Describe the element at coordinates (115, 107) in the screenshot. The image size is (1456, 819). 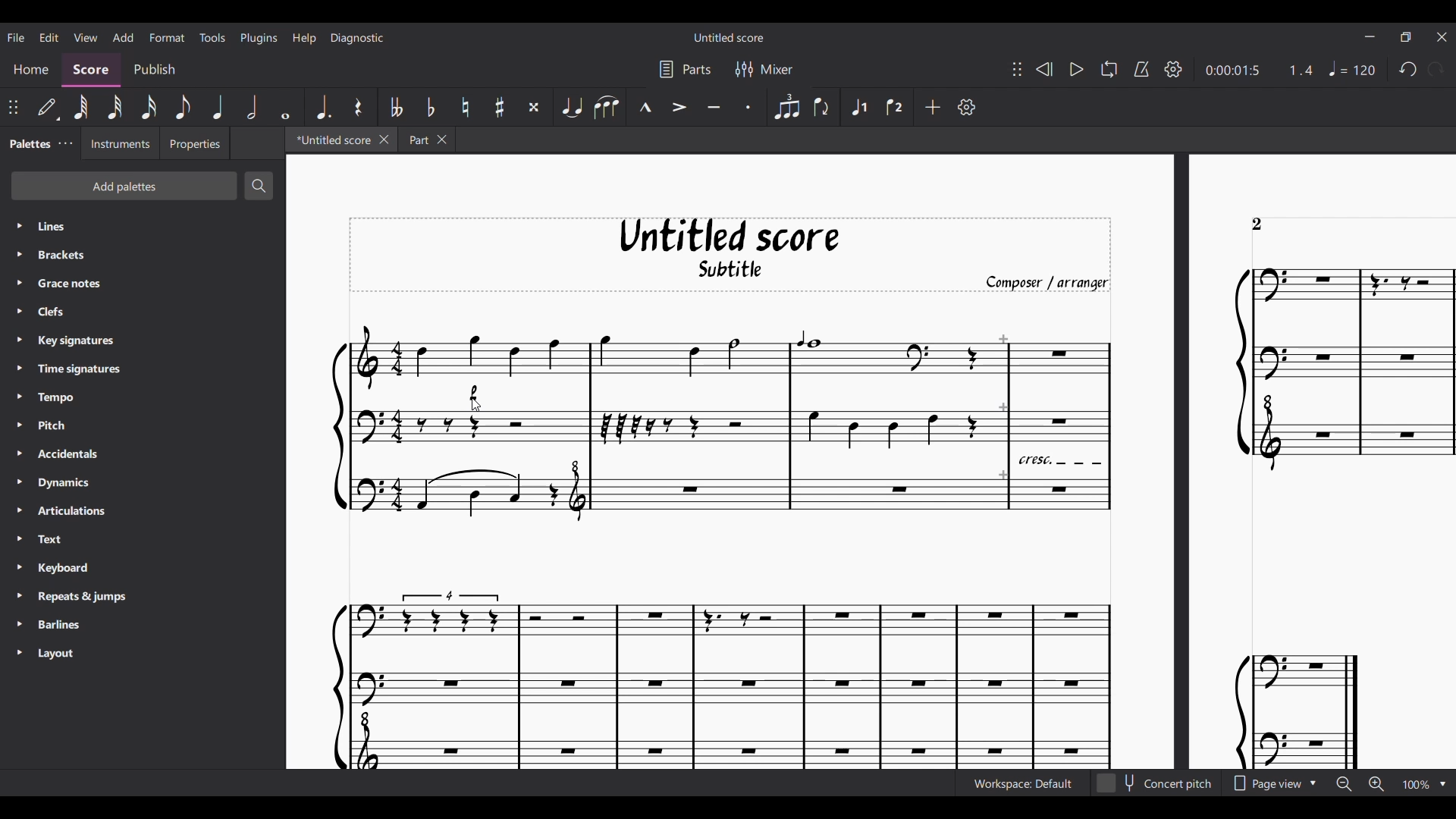
I see `32nd note` at that location.